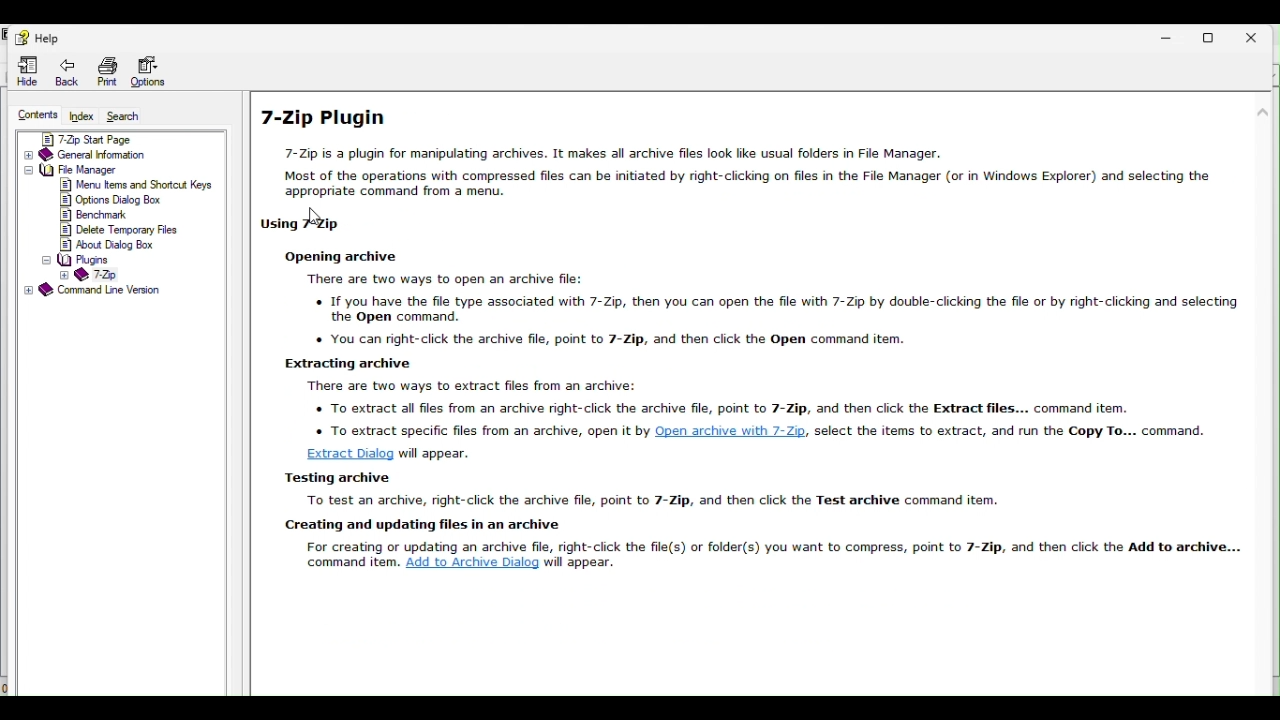 Image resolution: width=1280 pixels, height=720 pixels. I want to click on menu items and shortcut keys, so click(144, 186).